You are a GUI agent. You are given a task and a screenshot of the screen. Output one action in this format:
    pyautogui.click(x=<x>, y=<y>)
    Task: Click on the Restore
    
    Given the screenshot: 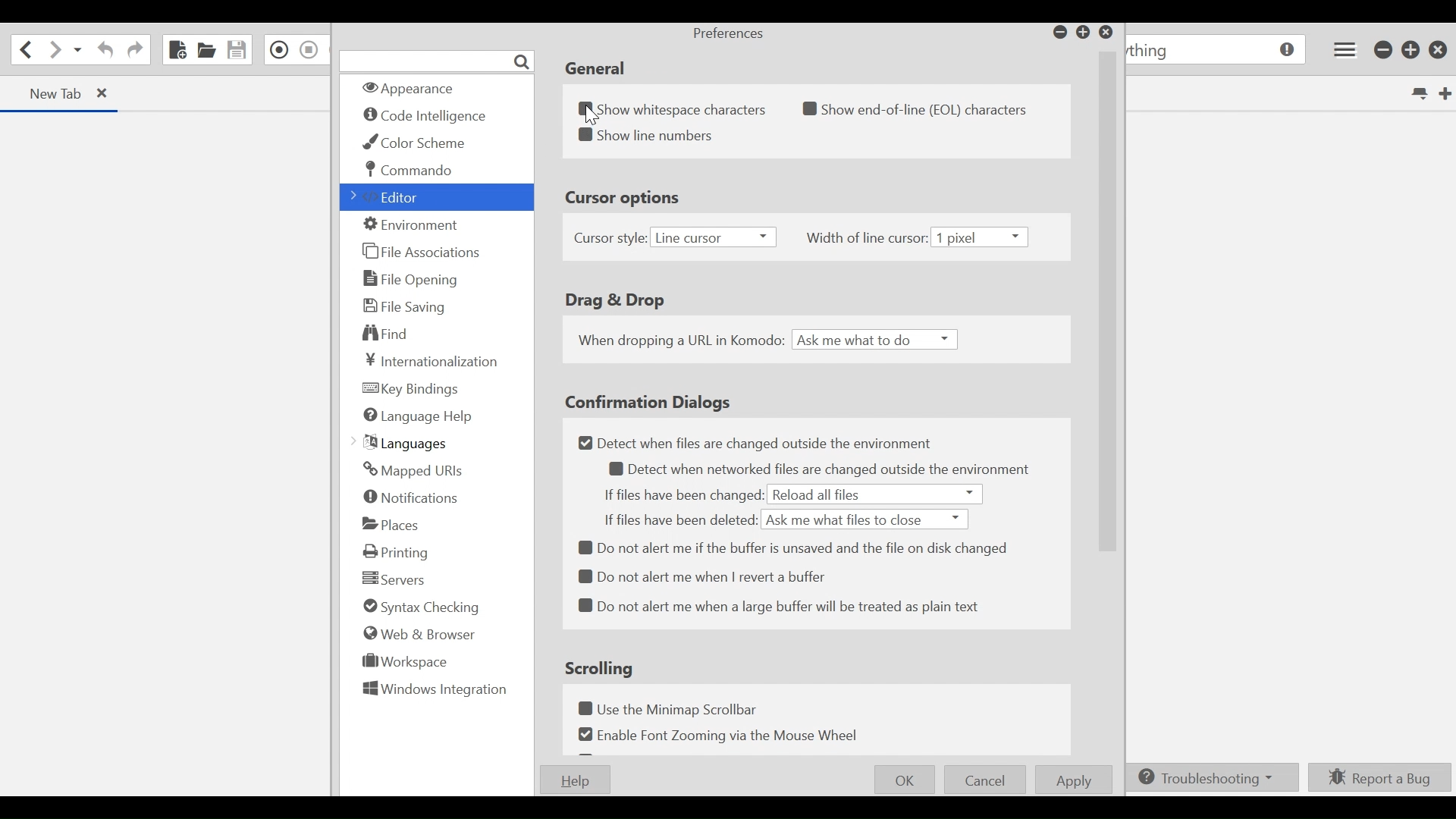 What is the action you would take?
    pyautogui.click(x=1082, y=32)
    